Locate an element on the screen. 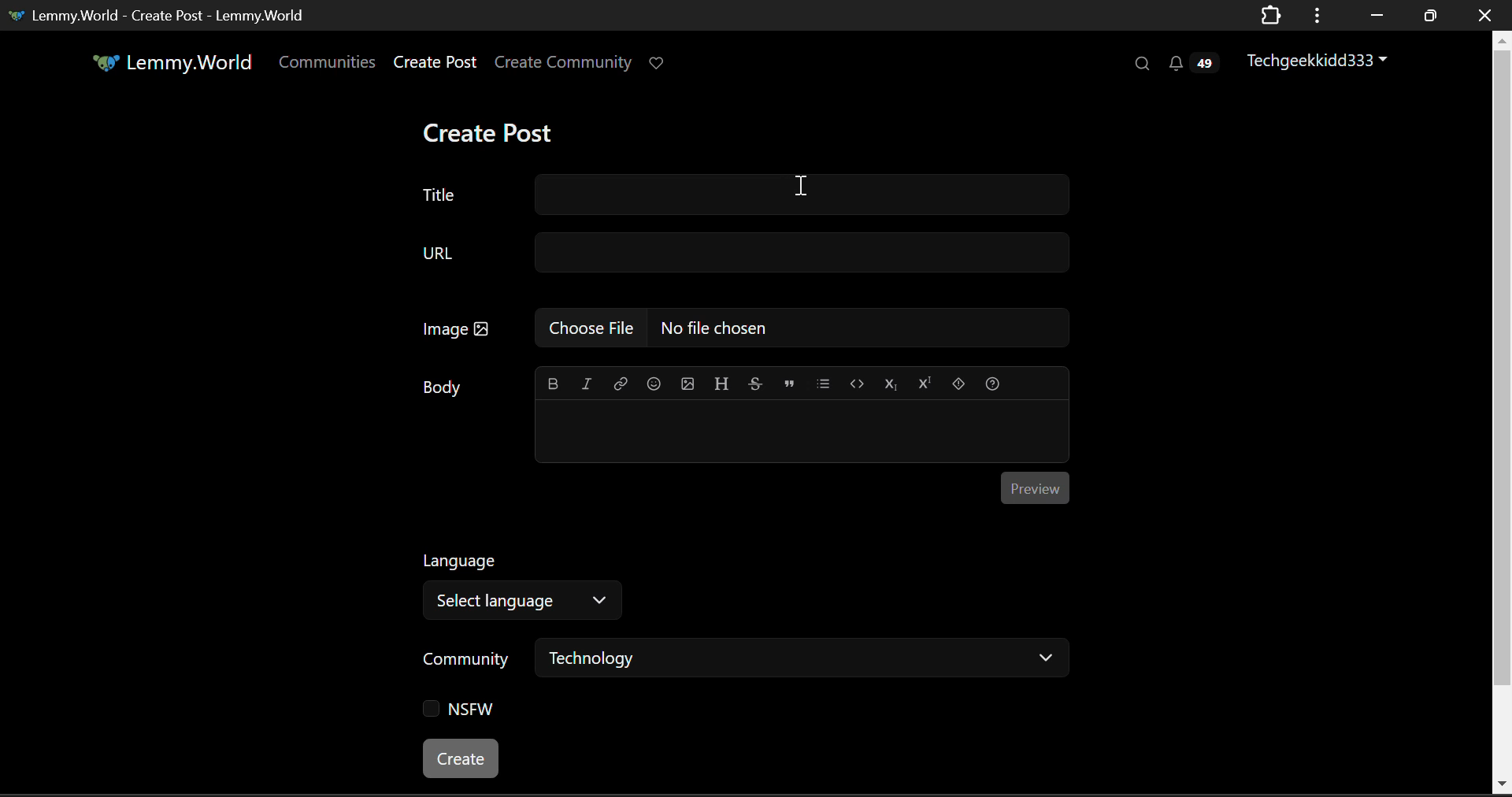 This screenshot has height=797, width=1512. NSFW Checkbox is located at coordinates (460, 712).